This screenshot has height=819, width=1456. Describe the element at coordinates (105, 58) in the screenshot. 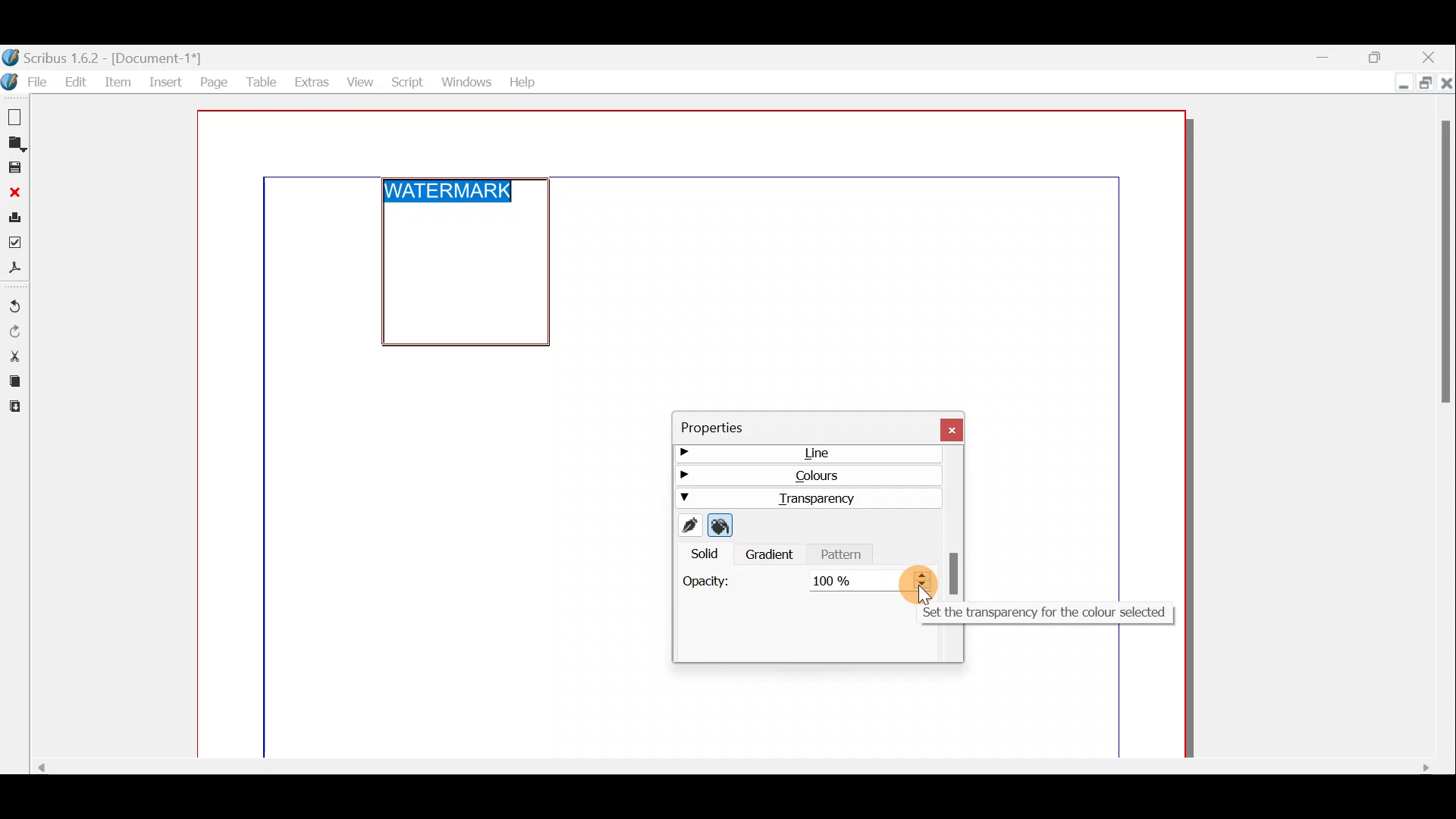

I see `Document name` at that location.